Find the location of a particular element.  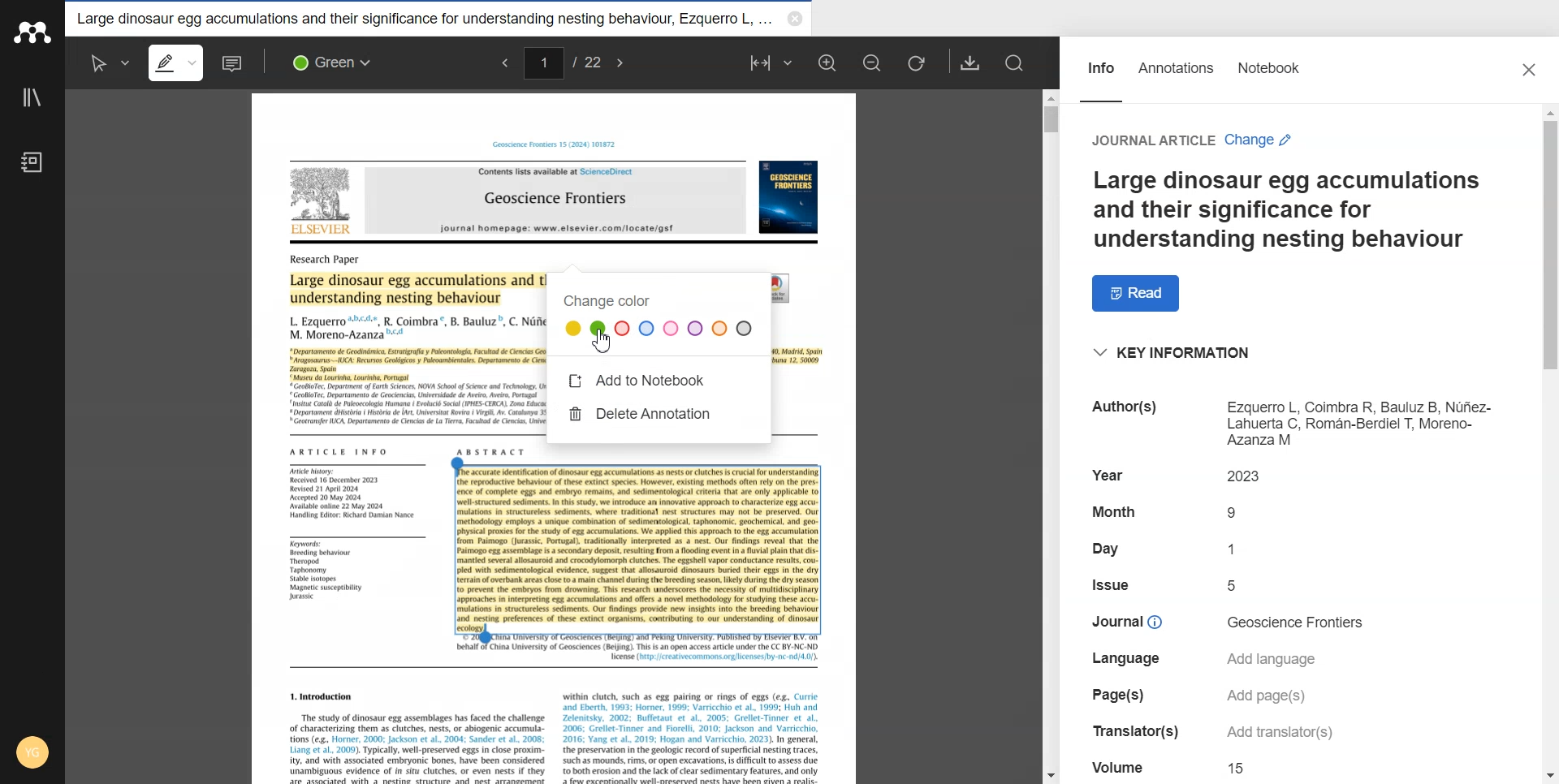

text is located at coordinates (1250, 476).